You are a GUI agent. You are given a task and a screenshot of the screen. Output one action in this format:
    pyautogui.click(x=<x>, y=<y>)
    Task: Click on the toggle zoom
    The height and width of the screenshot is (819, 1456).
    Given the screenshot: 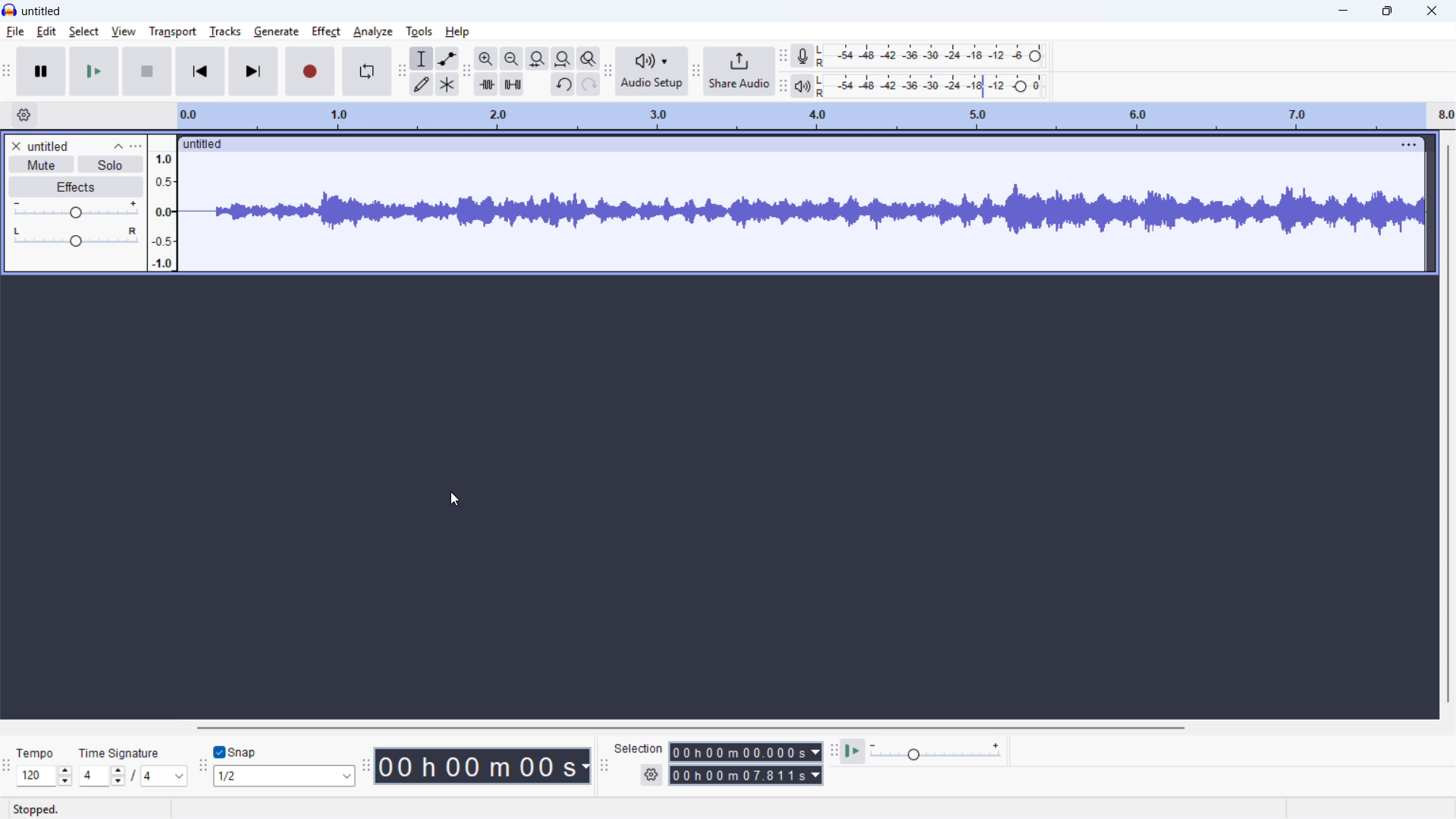 What is the action you would take?
    pyautogui.click(x=588, y=58)
    